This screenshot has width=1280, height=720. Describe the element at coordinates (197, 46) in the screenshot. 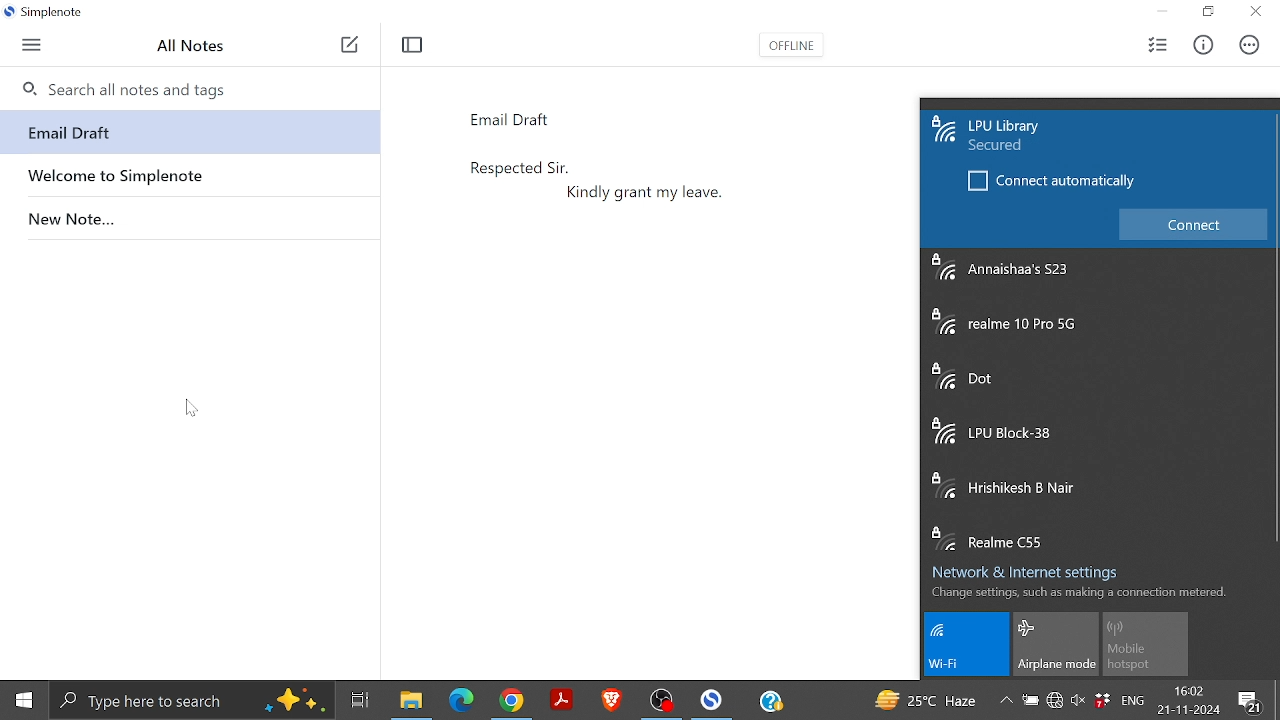

I see `All notes` at that location.